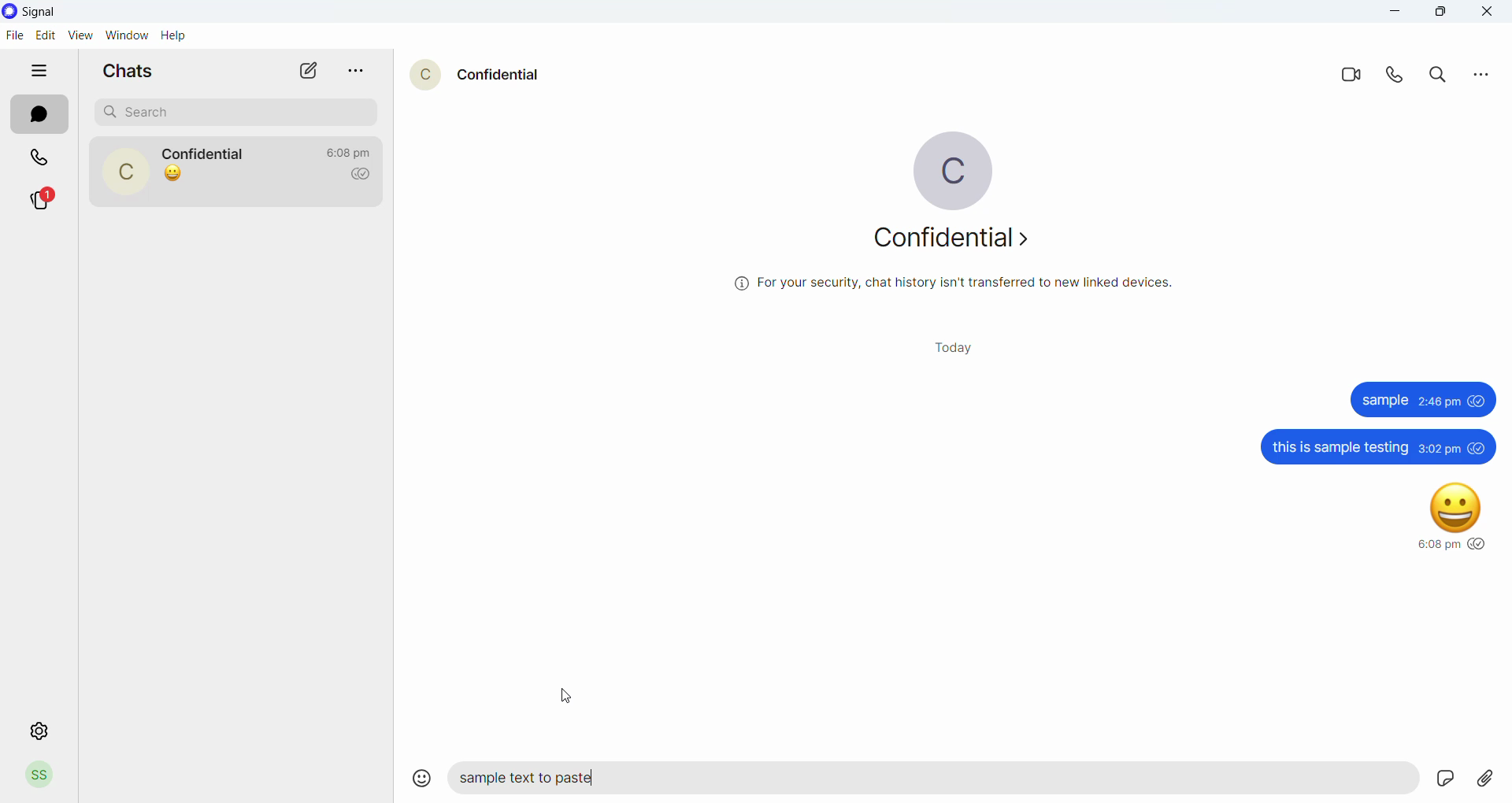 The image size is (1512, 803). Describe the element at coordinates (1478, 77) in the screenshot. I see `more options` at that location.